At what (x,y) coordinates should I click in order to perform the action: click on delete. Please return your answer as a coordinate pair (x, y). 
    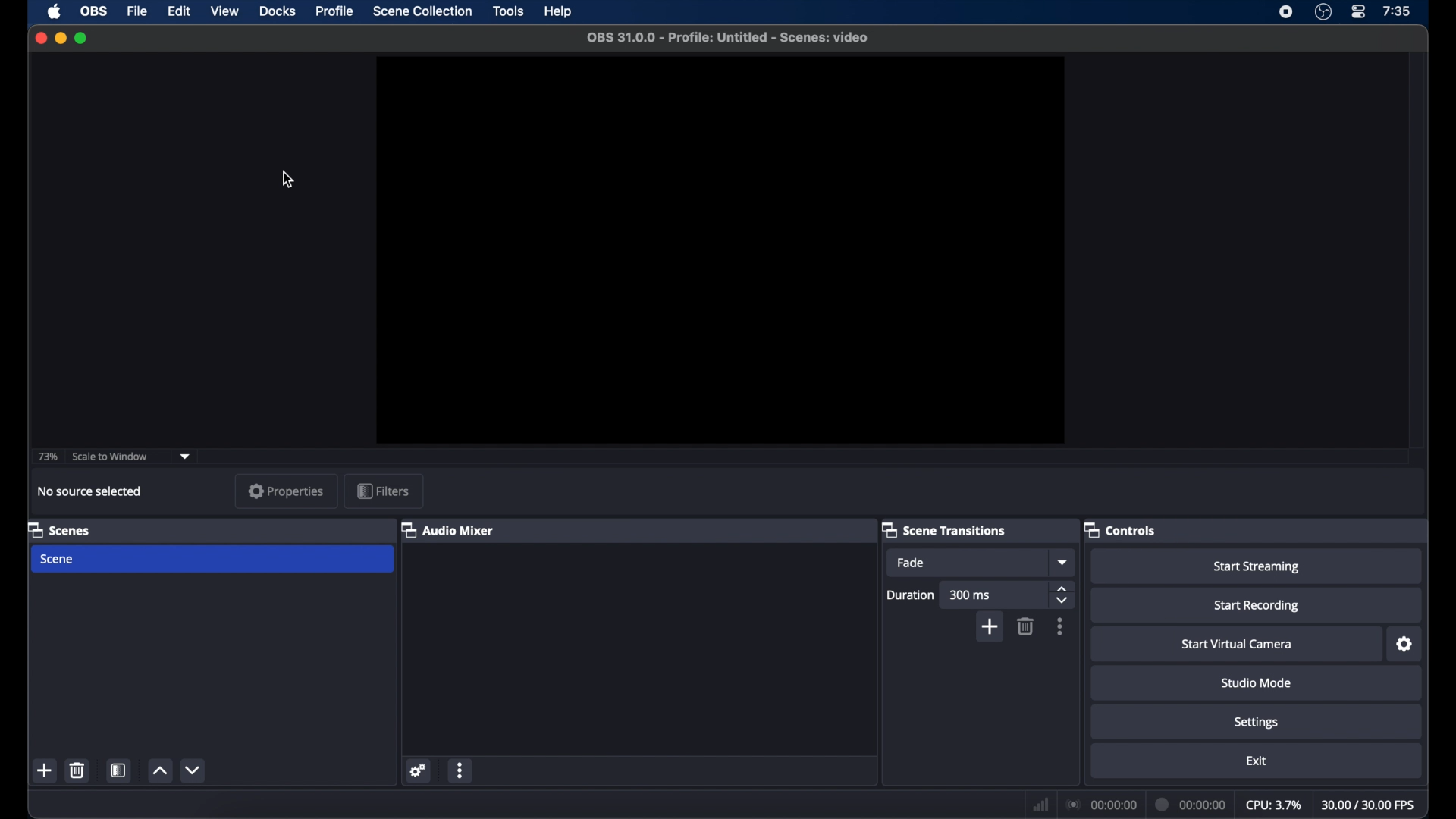
    Looking at the image, I should click on (1025, 626).